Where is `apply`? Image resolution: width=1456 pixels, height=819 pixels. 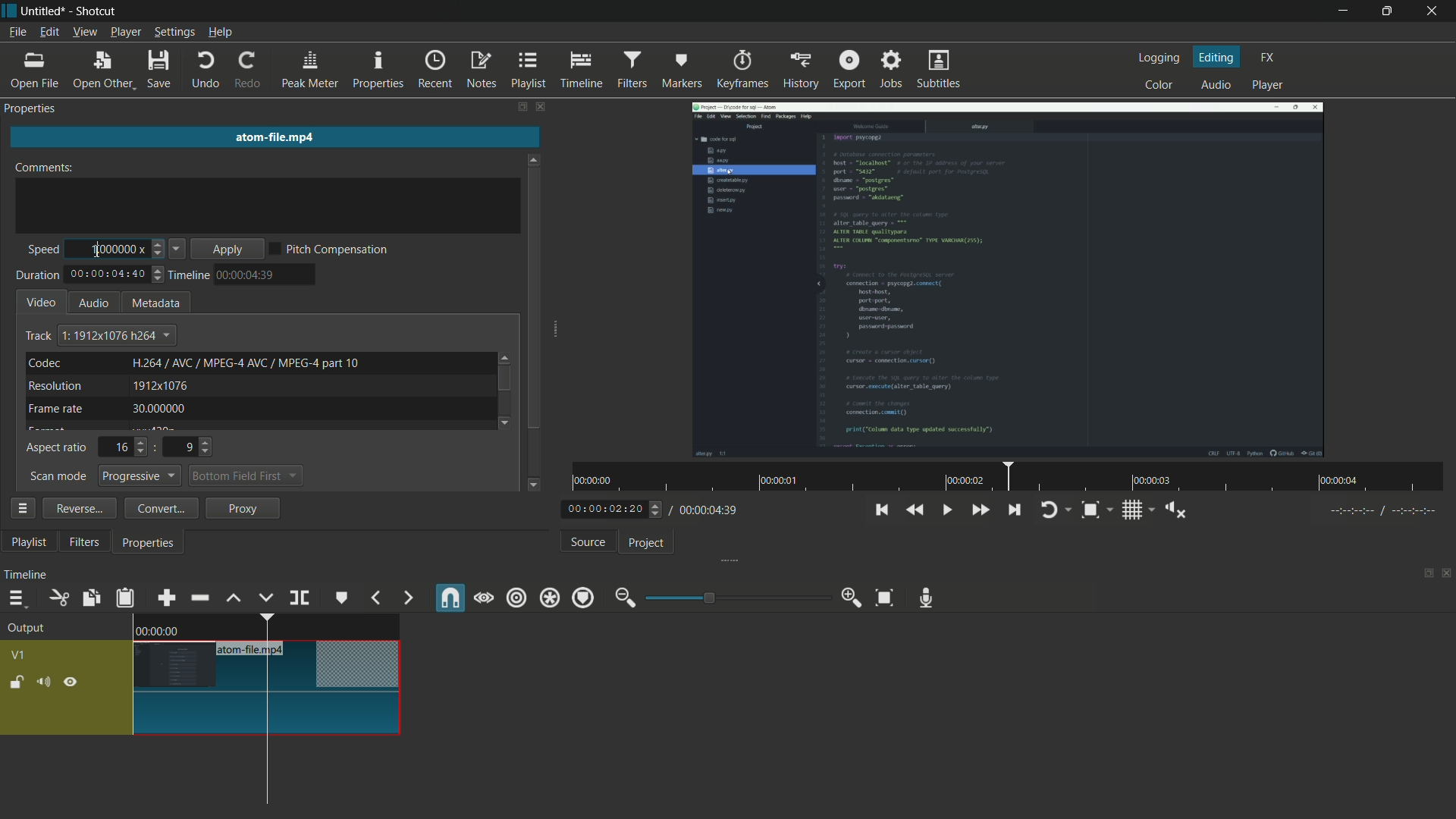
apply is located at coordinates (227, 249).